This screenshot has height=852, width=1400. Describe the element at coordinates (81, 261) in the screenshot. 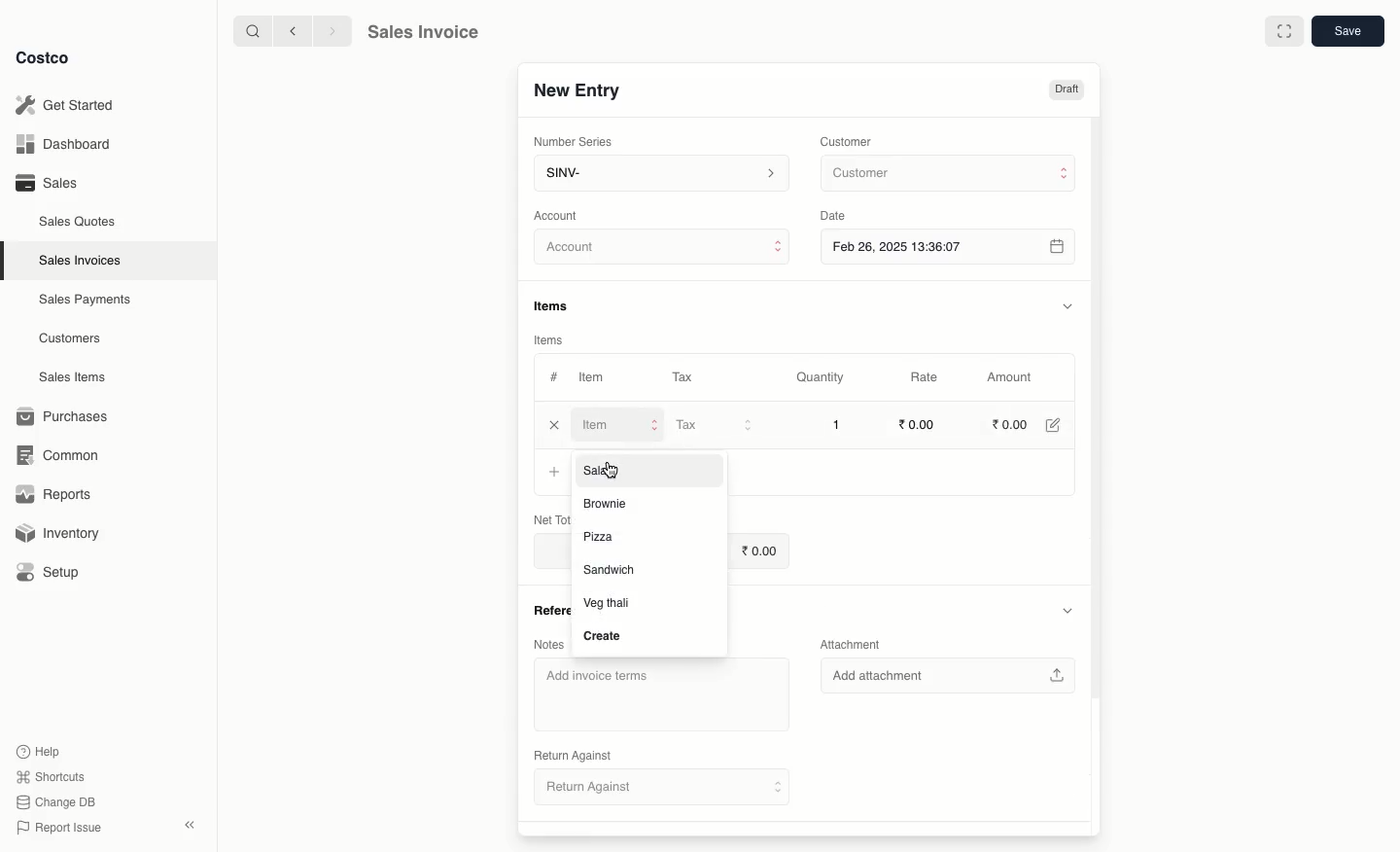

I see `Sales Invoices` at that location.